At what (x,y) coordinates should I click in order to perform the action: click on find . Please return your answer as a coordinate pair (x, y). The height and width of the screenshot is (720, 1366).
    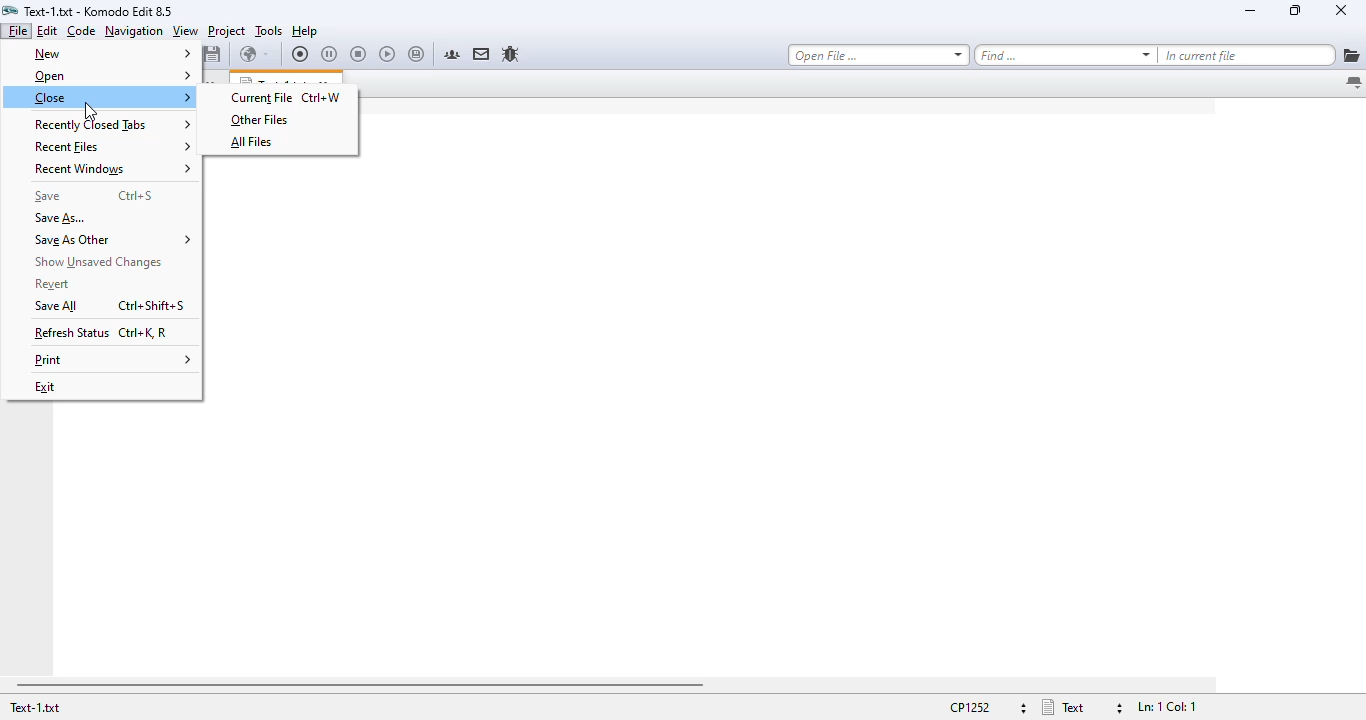
    Looking at the image, I should click on (1065, 55).